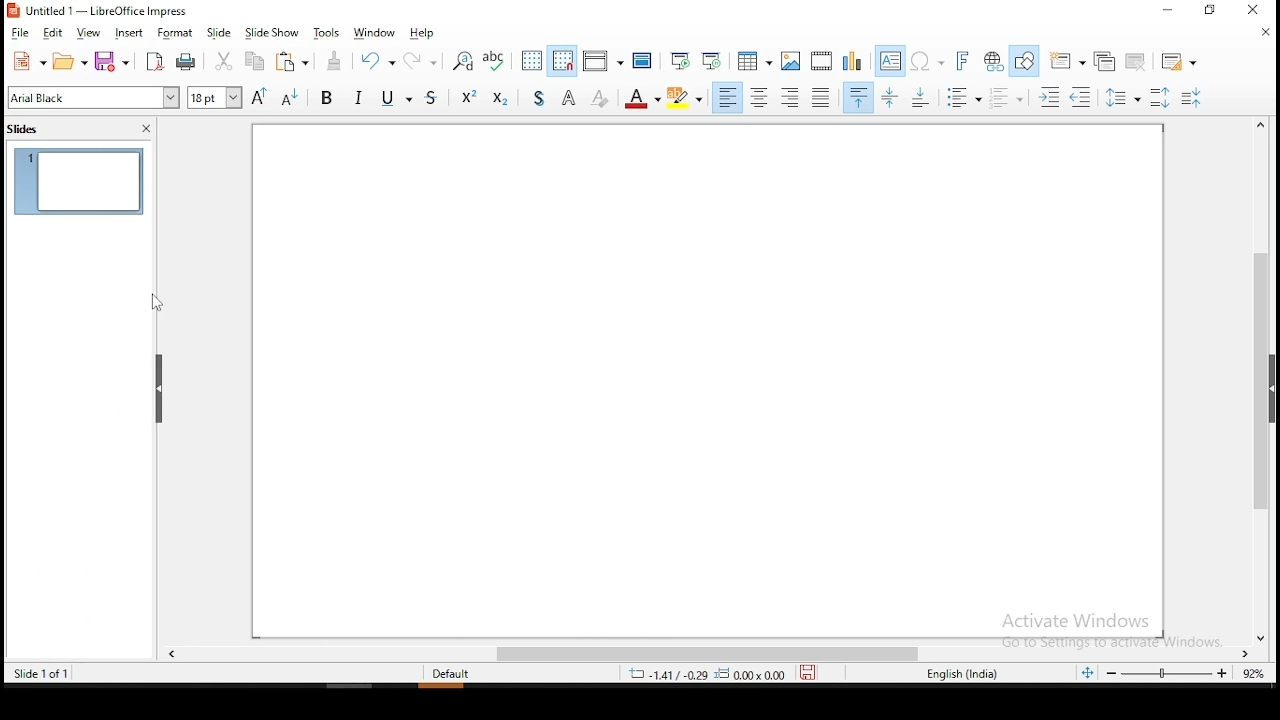 This screenshot has width=1280, height=720. Describe the element at coordinates (569, 98) in the screenshot. I see `apply outline attribute to font` at that location.